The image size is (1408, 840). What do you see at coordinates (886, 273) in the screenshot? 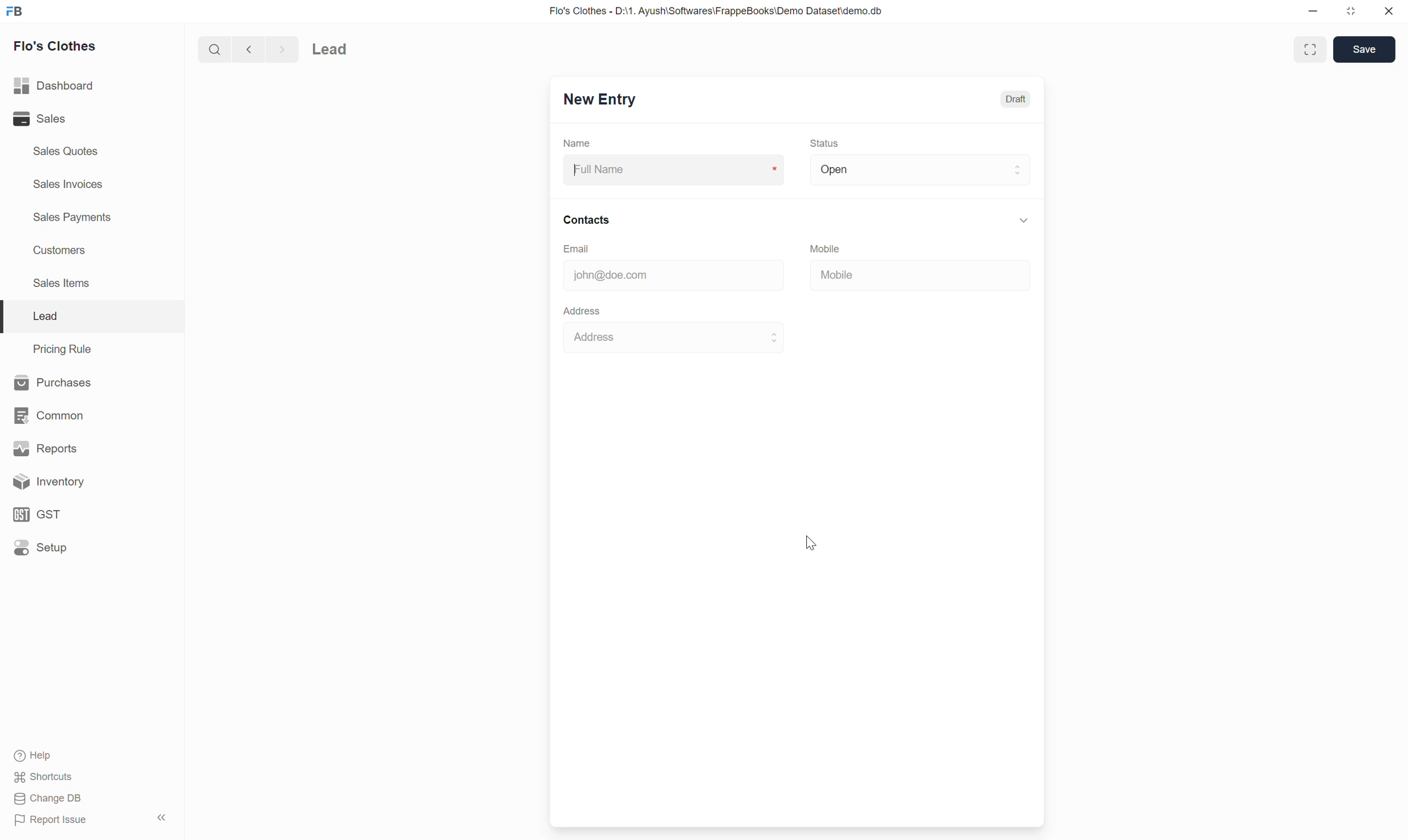
I see `Mobile` at bounding box center [886, 273].